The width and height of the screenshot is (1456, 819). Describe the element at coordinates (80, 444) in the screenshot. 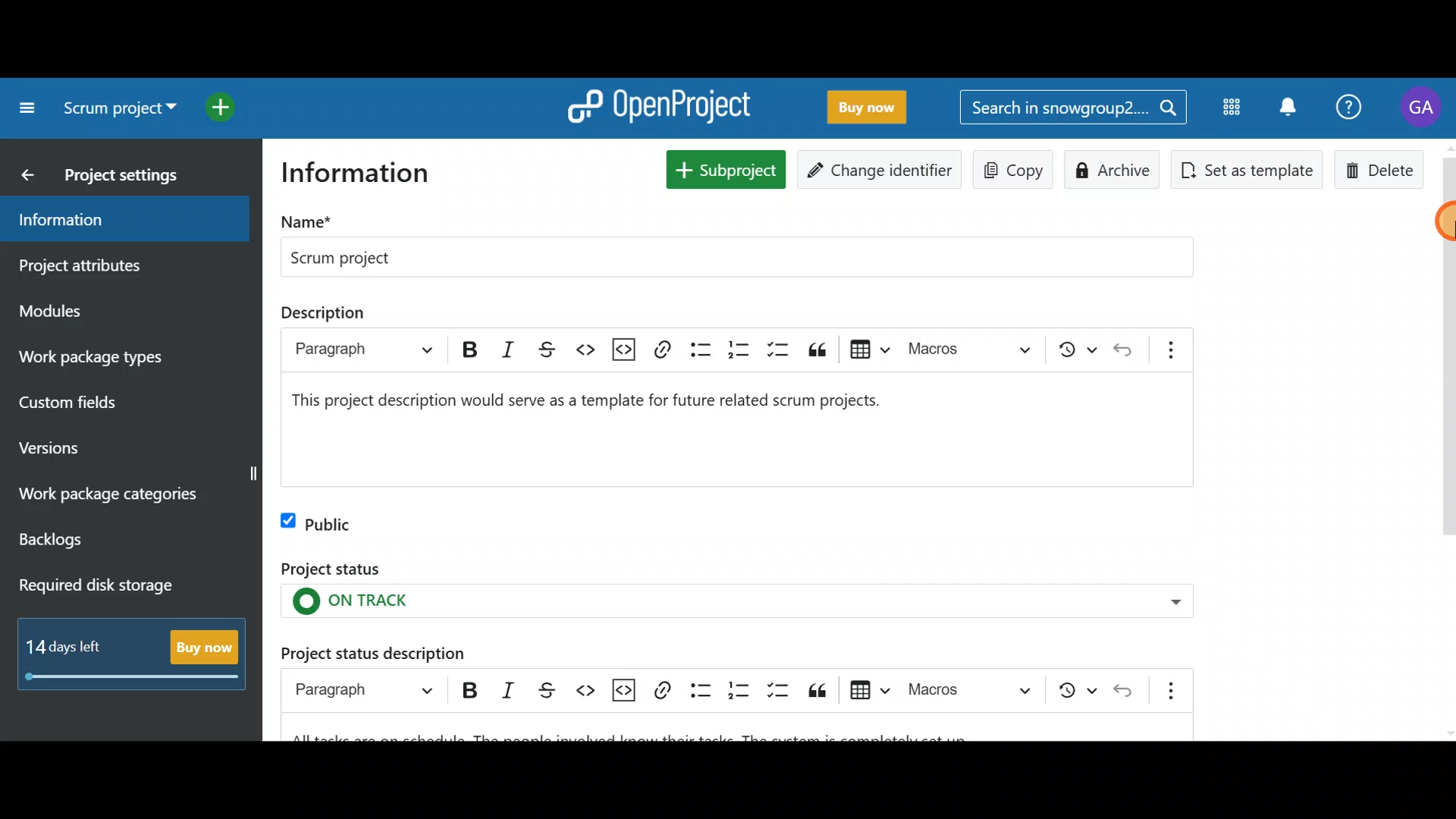

I see `Versions` at that location.